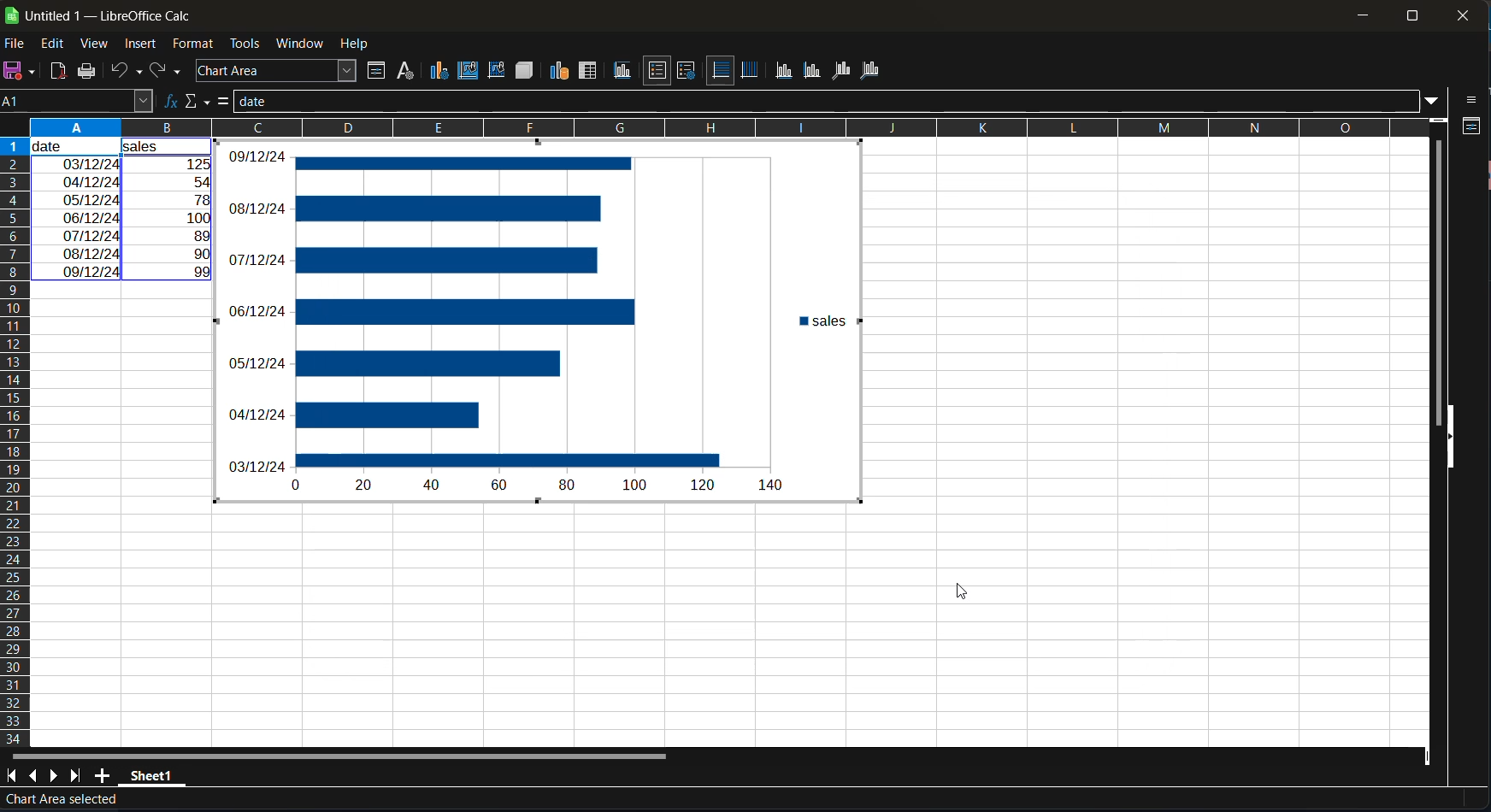 The width and height of the screenshot is (1491, 812). I want to click on data range, so click(561, 70).